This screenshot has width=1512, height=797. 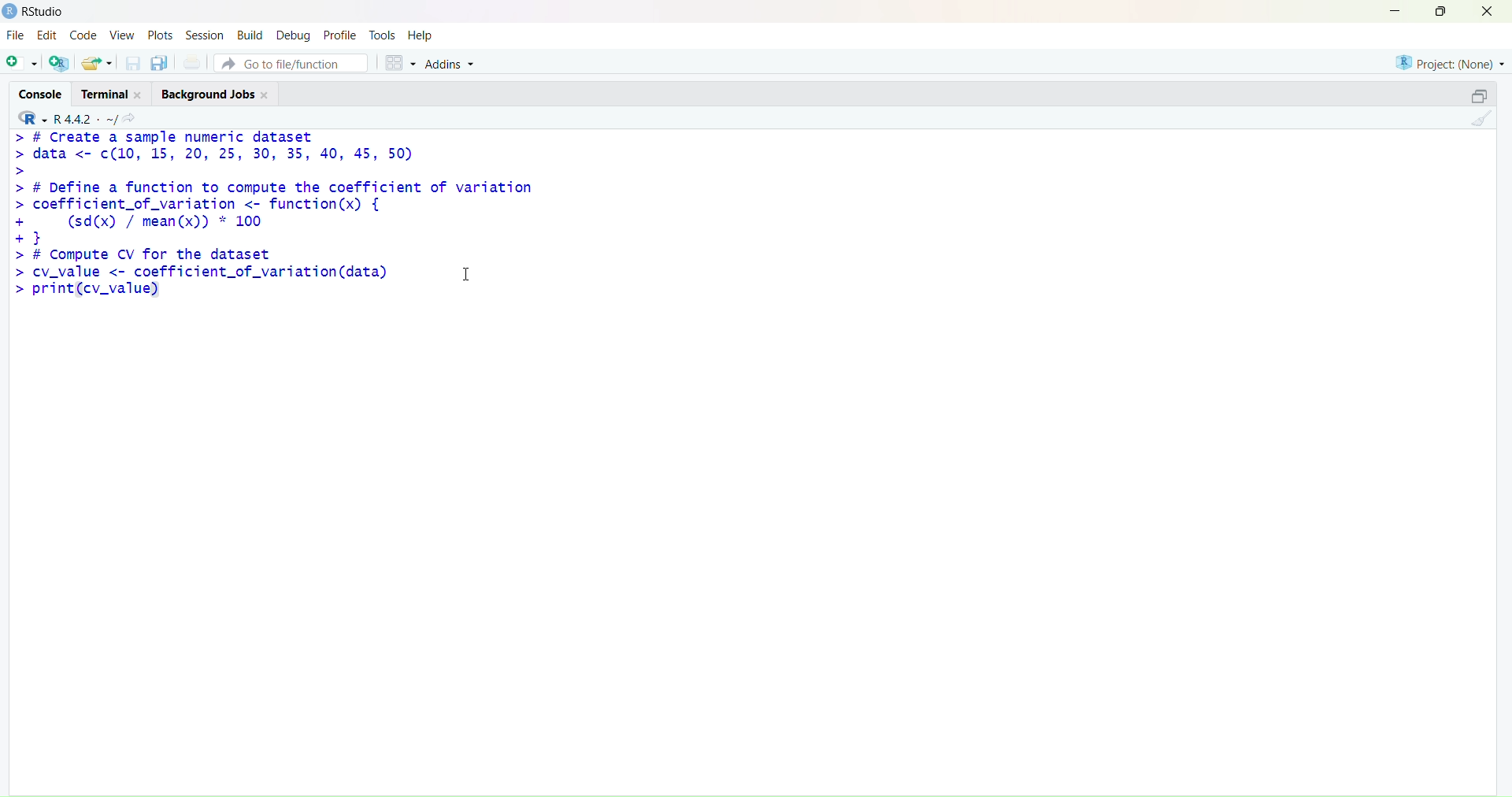 I want to click on copy, so click(x=159, y=63).